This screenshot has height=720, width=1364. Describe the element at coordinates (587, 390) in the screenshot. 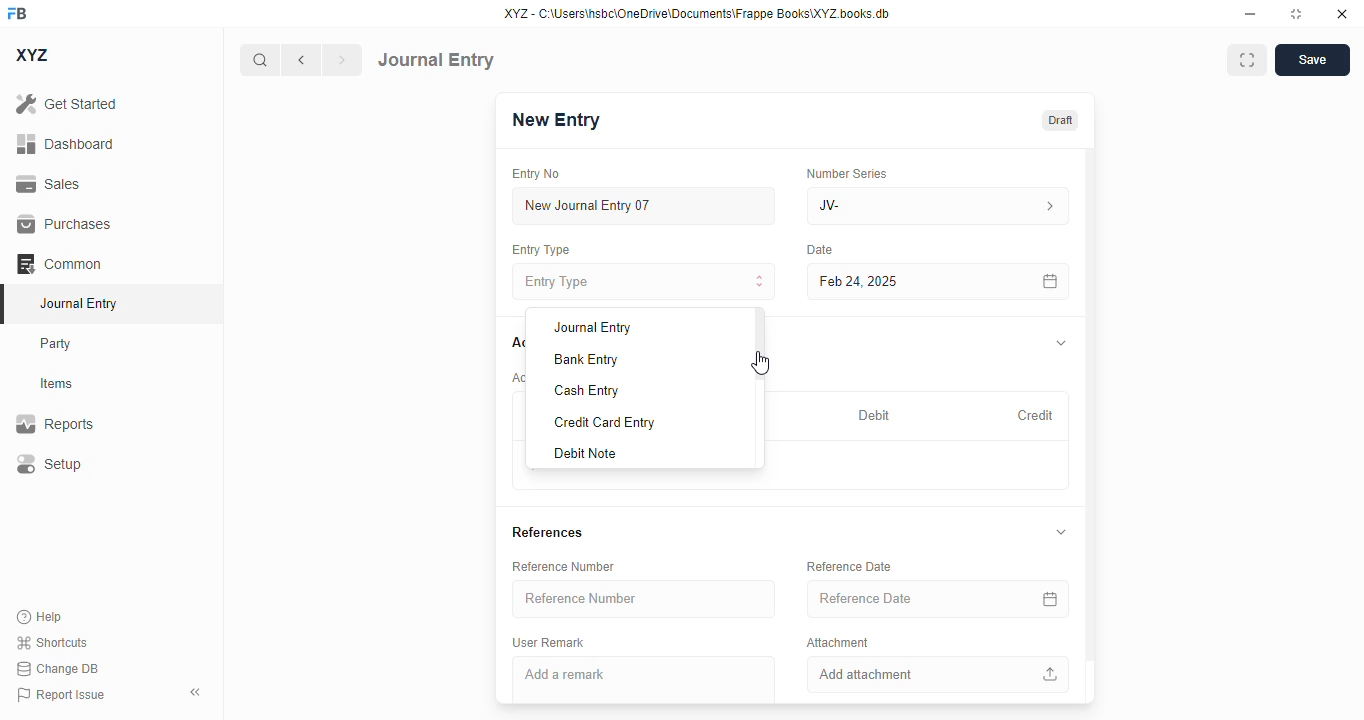

I see `cash entry` at that location.